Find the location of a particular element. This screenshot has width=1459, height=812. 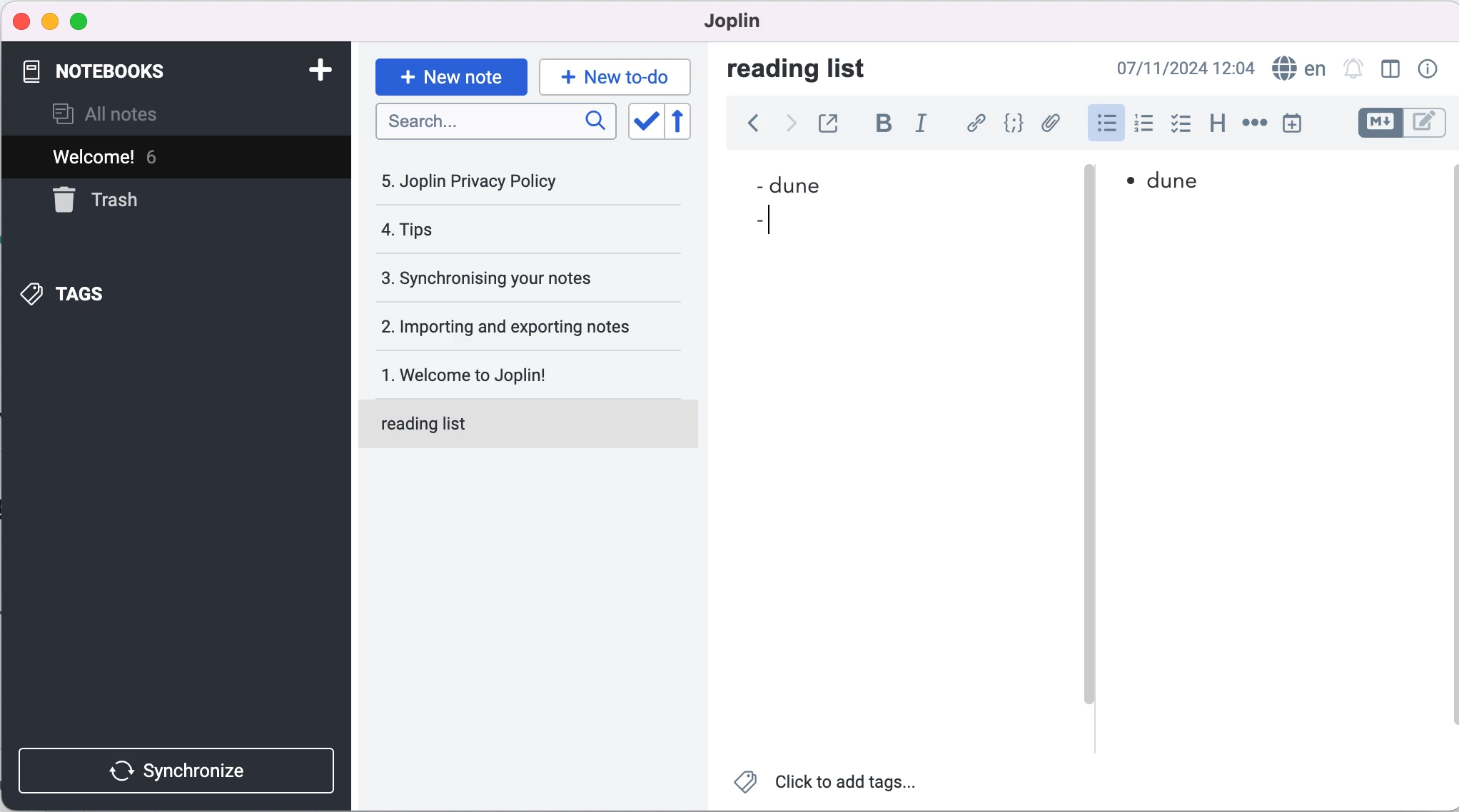

bold is located at coordinates (884, 123).